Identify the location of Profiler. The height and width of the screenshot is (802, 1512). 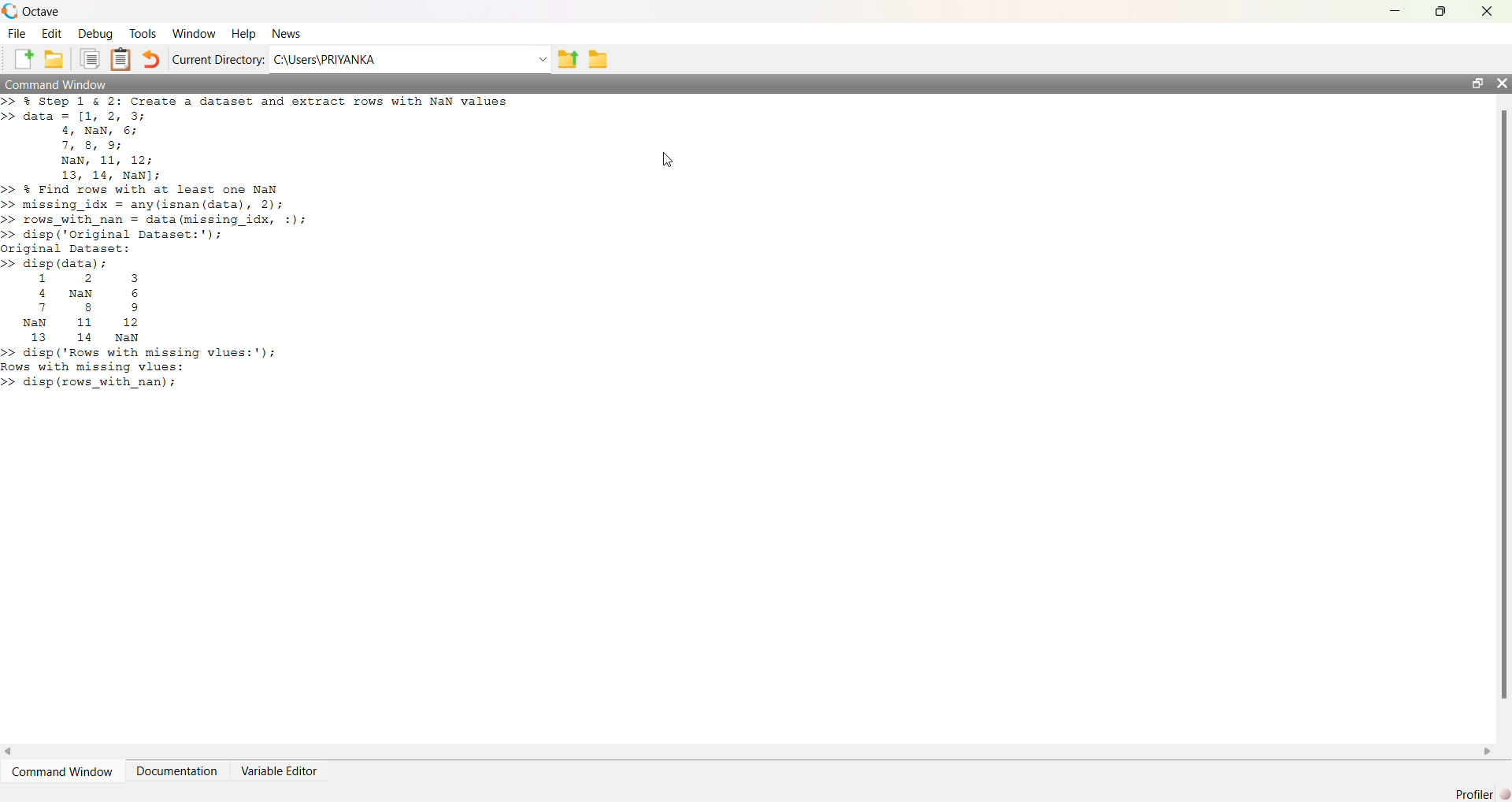
(1482, 794).